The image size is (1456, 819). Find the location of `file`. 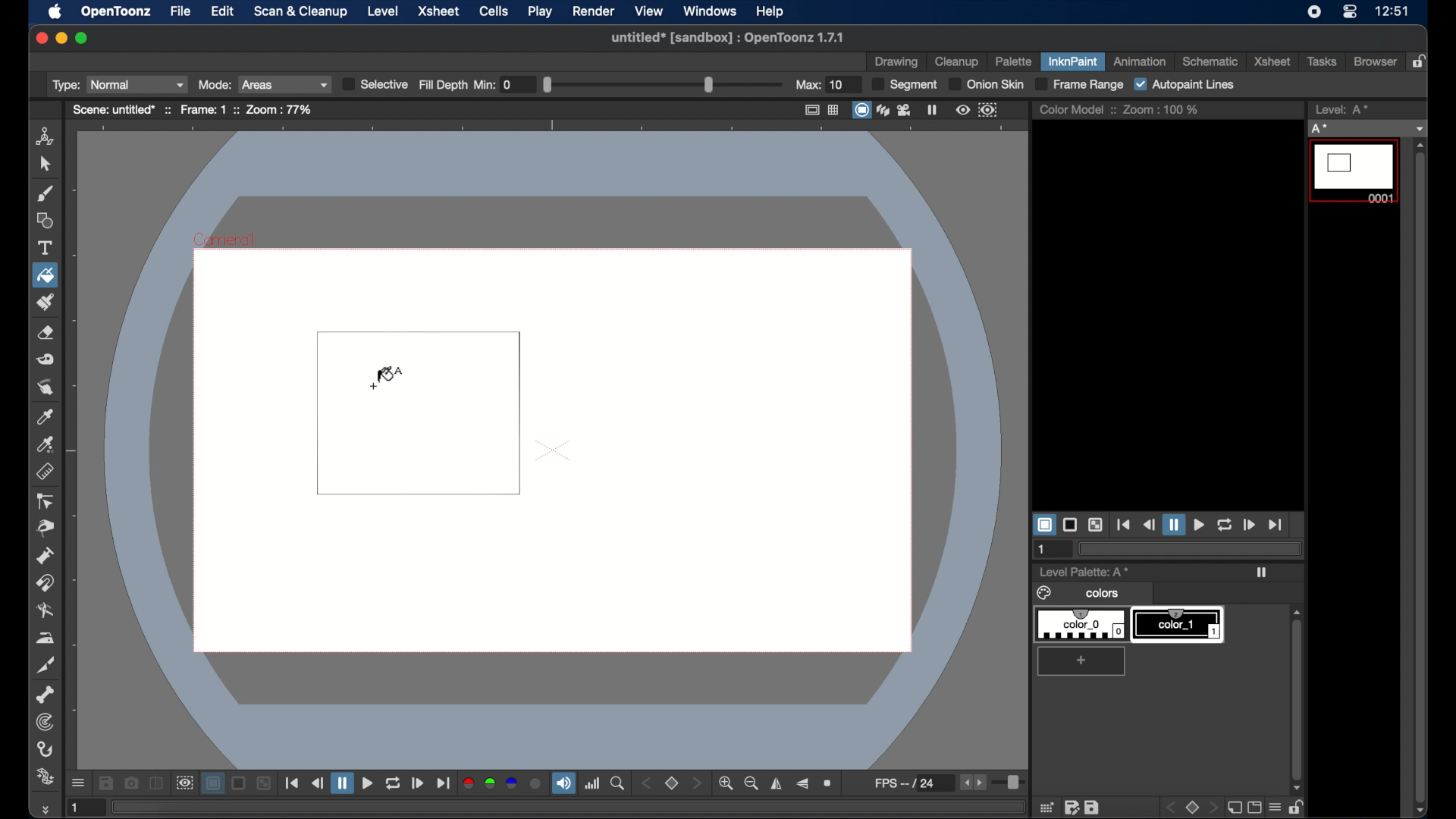

file is located at coordinates (180, 11).